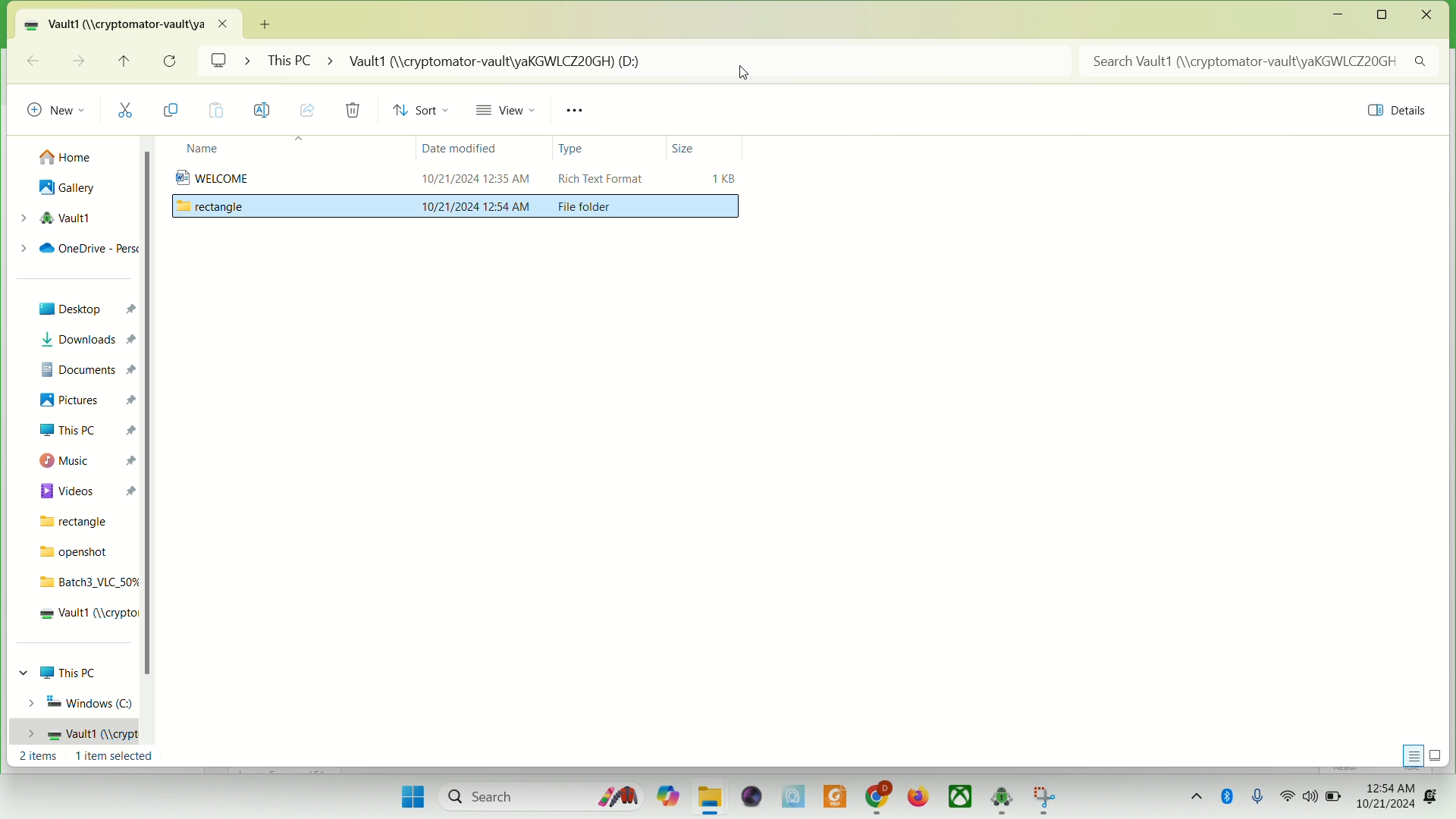 The image size is (1456, 819). What do you see at coordinates (86, 430) in the screenshot?
I see `this PC` at bounding box center [86, 430].